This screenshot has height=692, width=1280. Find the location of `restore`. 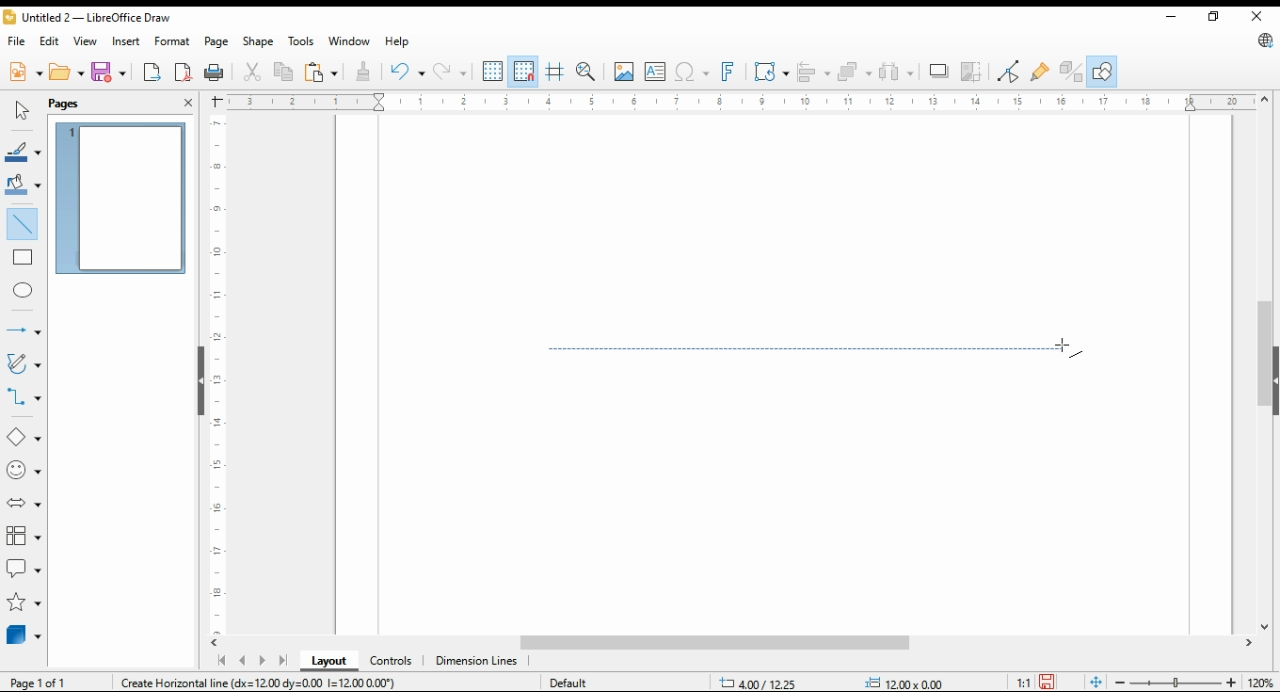

restore is located at coordinates (1217, 17).